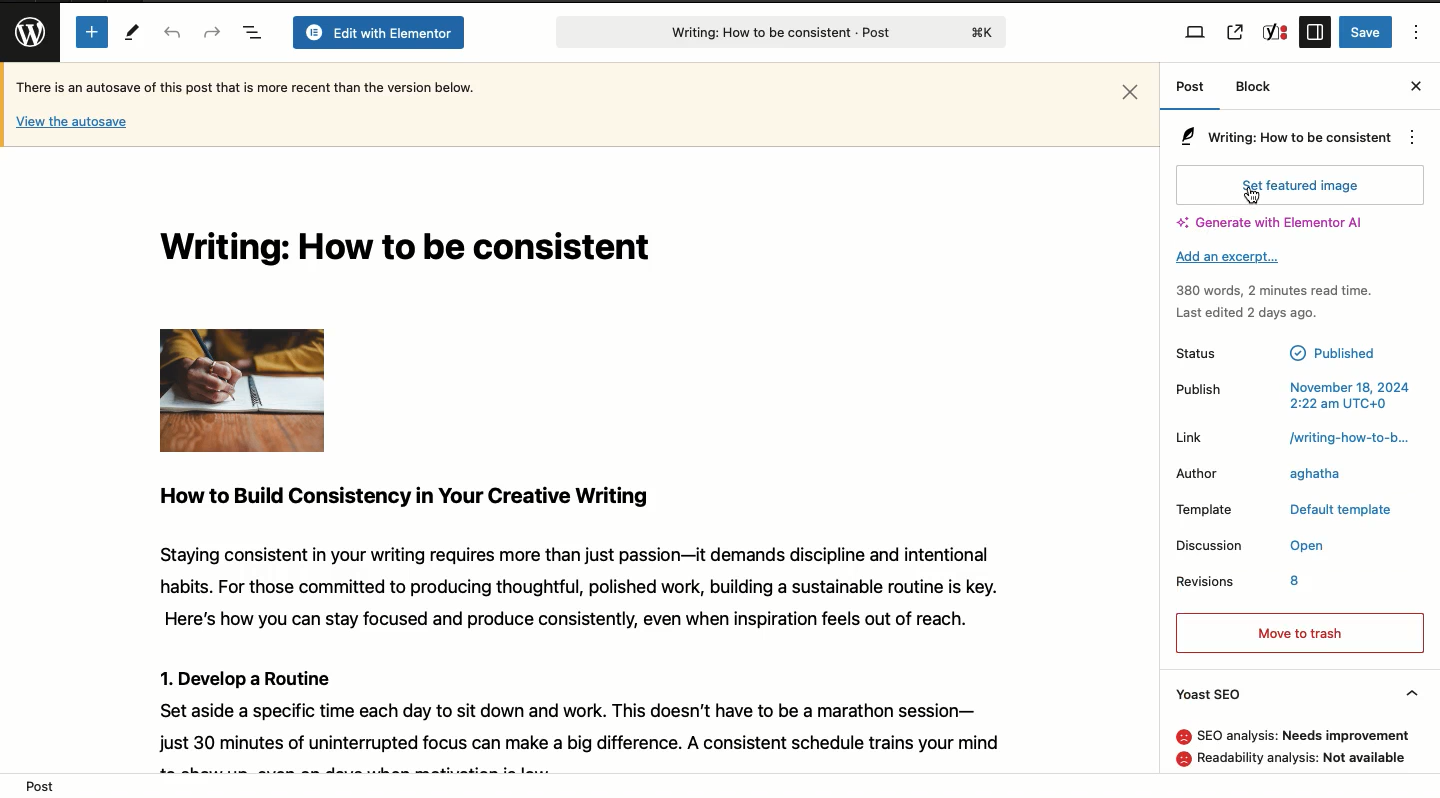 This screenshot has width=1440, height=798. I want to click on Revisions 8, so click(1243, 582).